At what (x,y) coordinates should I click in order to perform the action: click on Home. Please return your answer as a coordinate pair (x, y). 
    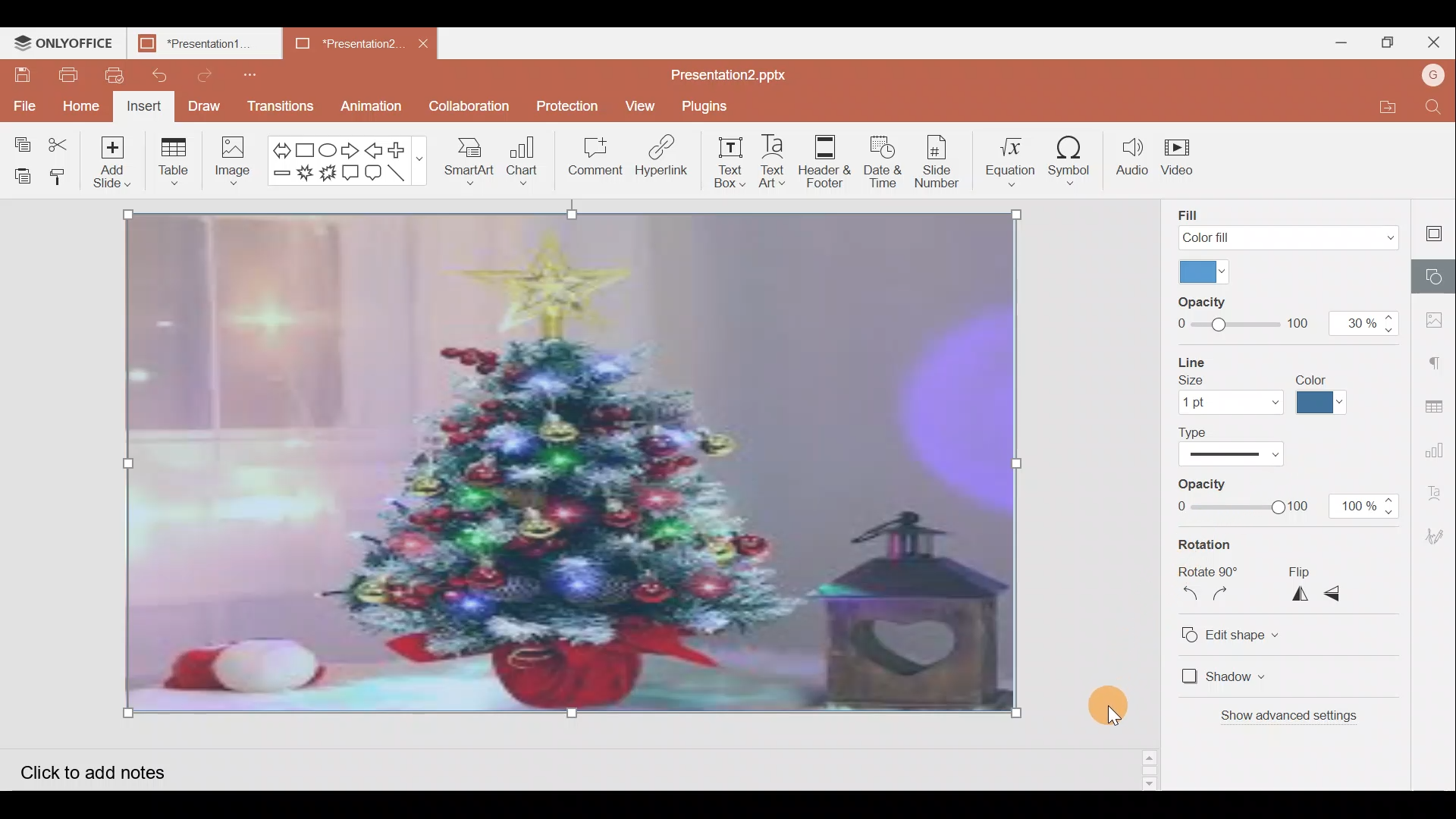
    Looking at the image, I should click on (82, 105).